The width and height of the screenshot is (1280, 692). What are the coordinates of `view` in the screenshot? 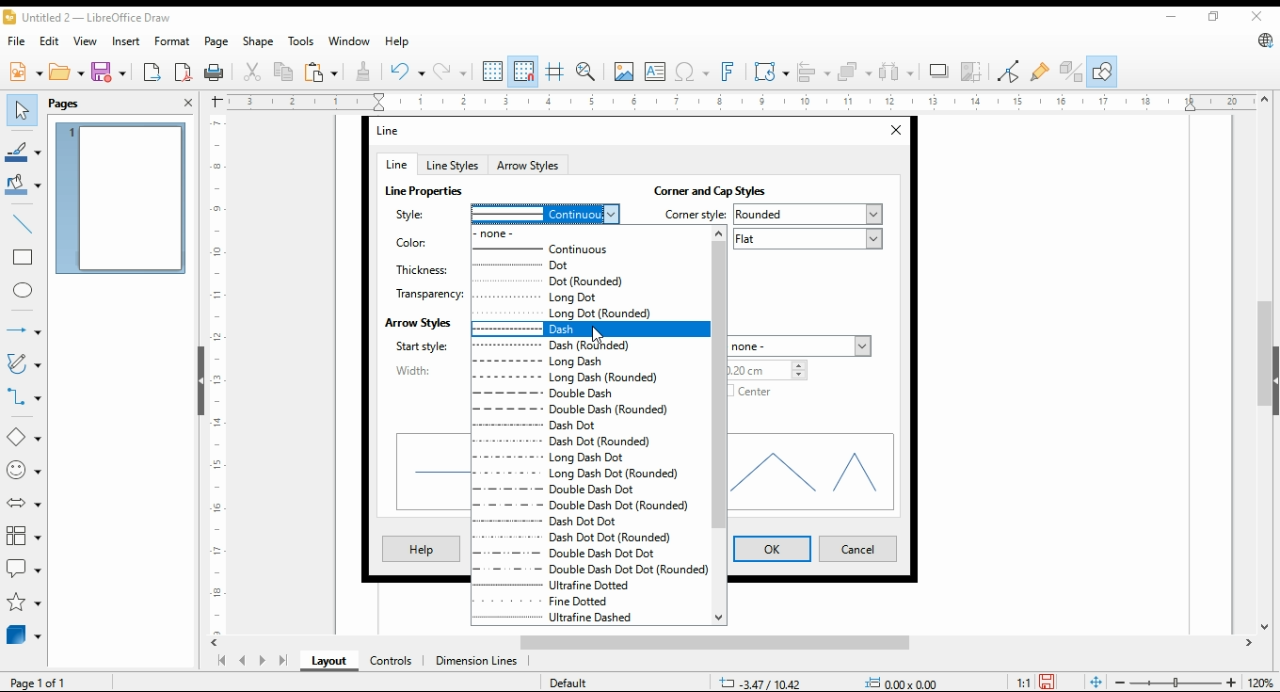 It's located at (86, 41).